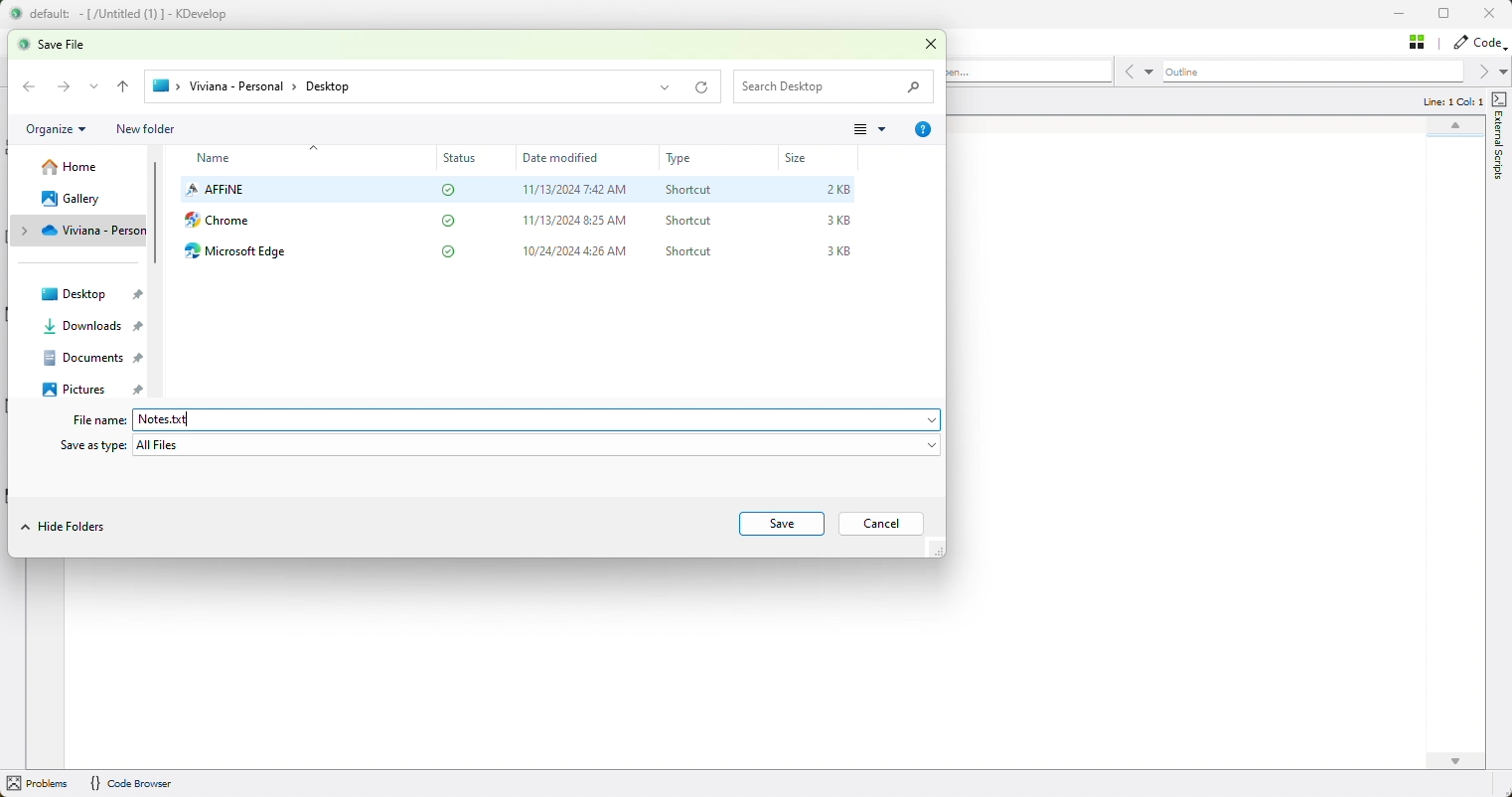 The image size is (1512, 797). I want to click on Line: 1 Col: 1, so click(1451, 101).